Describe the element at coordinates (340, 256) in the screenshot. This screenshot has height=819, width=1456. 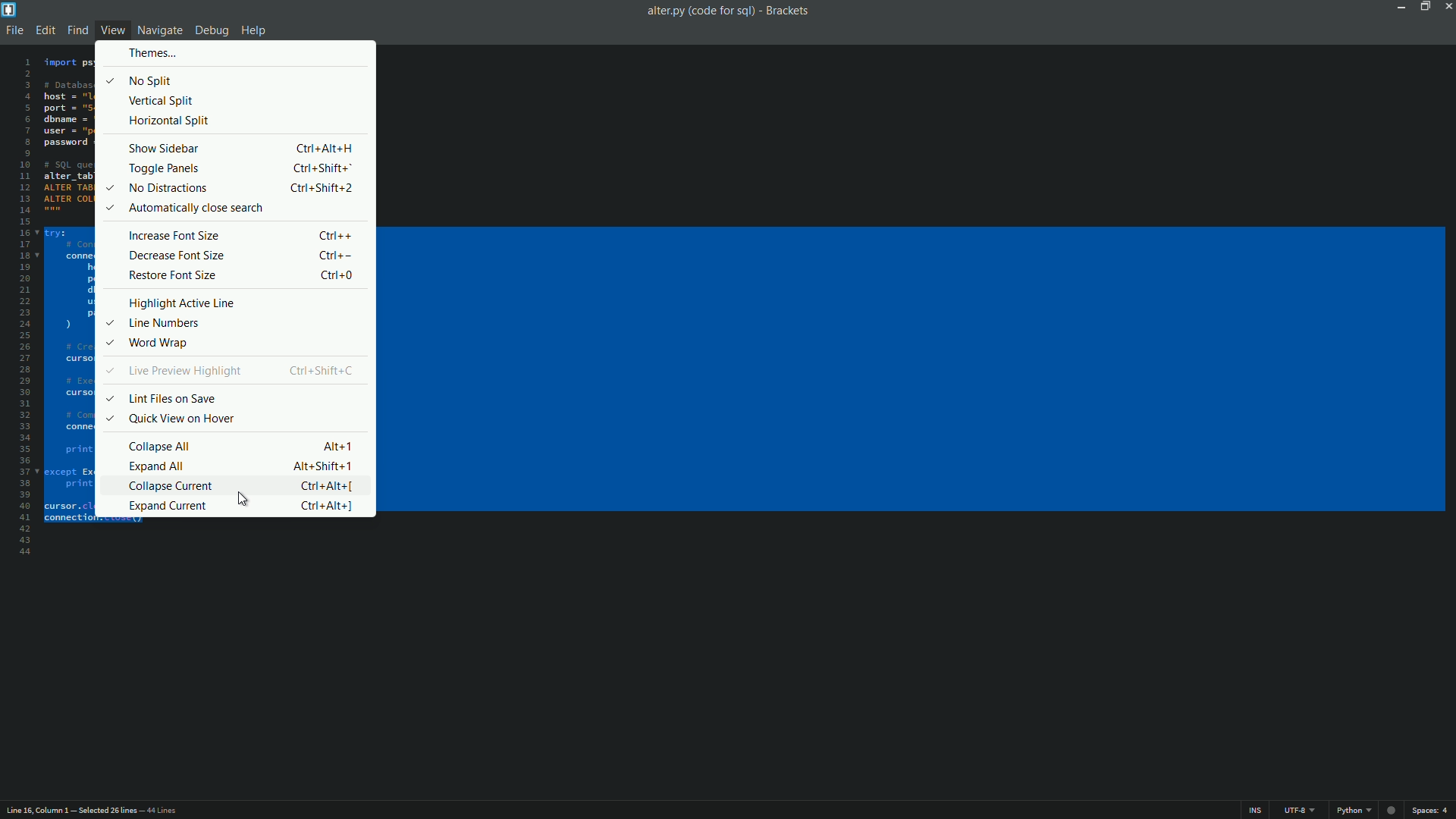
I see `keyboard shortcut` at that location.